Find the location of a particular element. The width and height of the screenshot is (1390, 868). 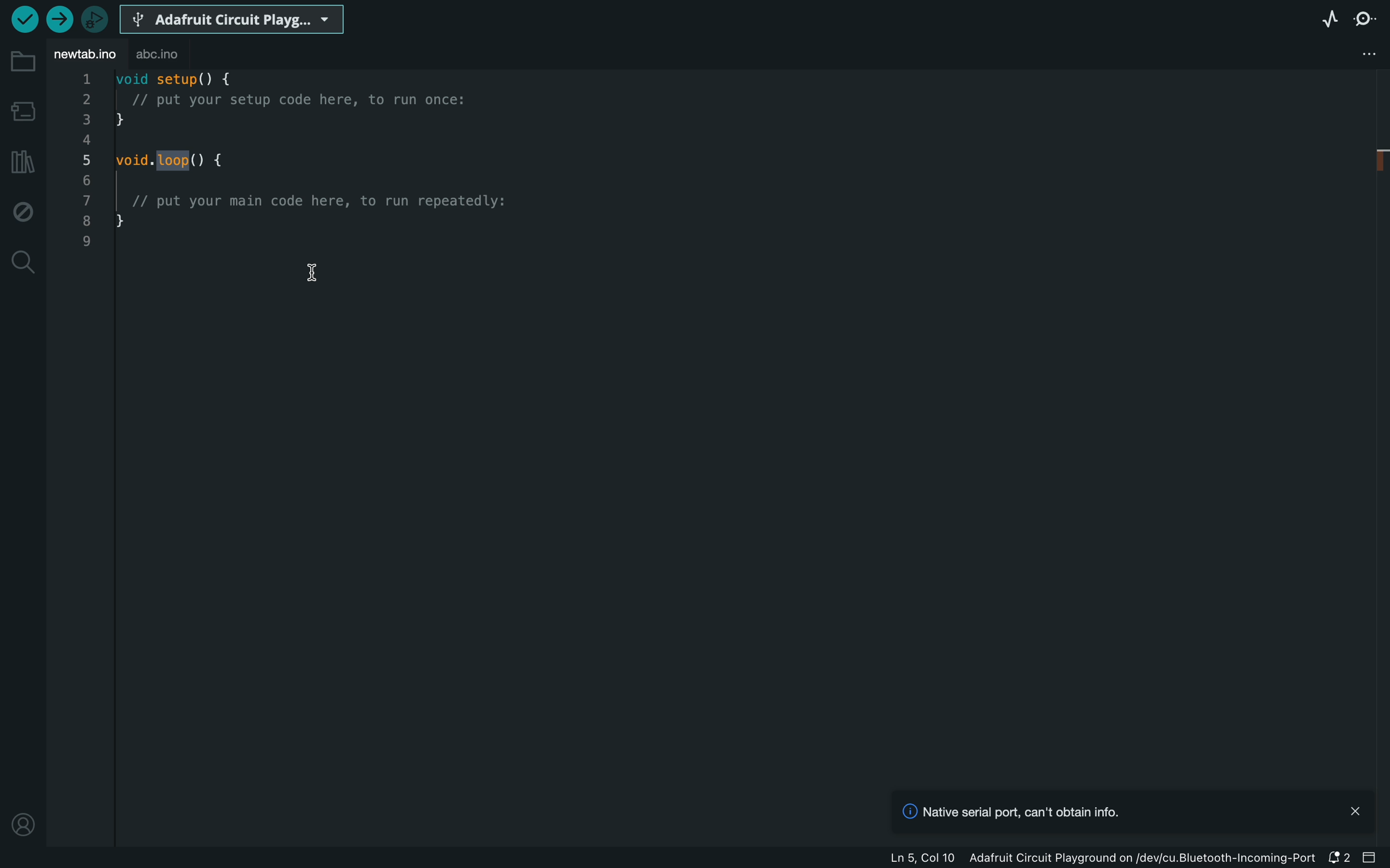

code is located at coordinates (310, 150).